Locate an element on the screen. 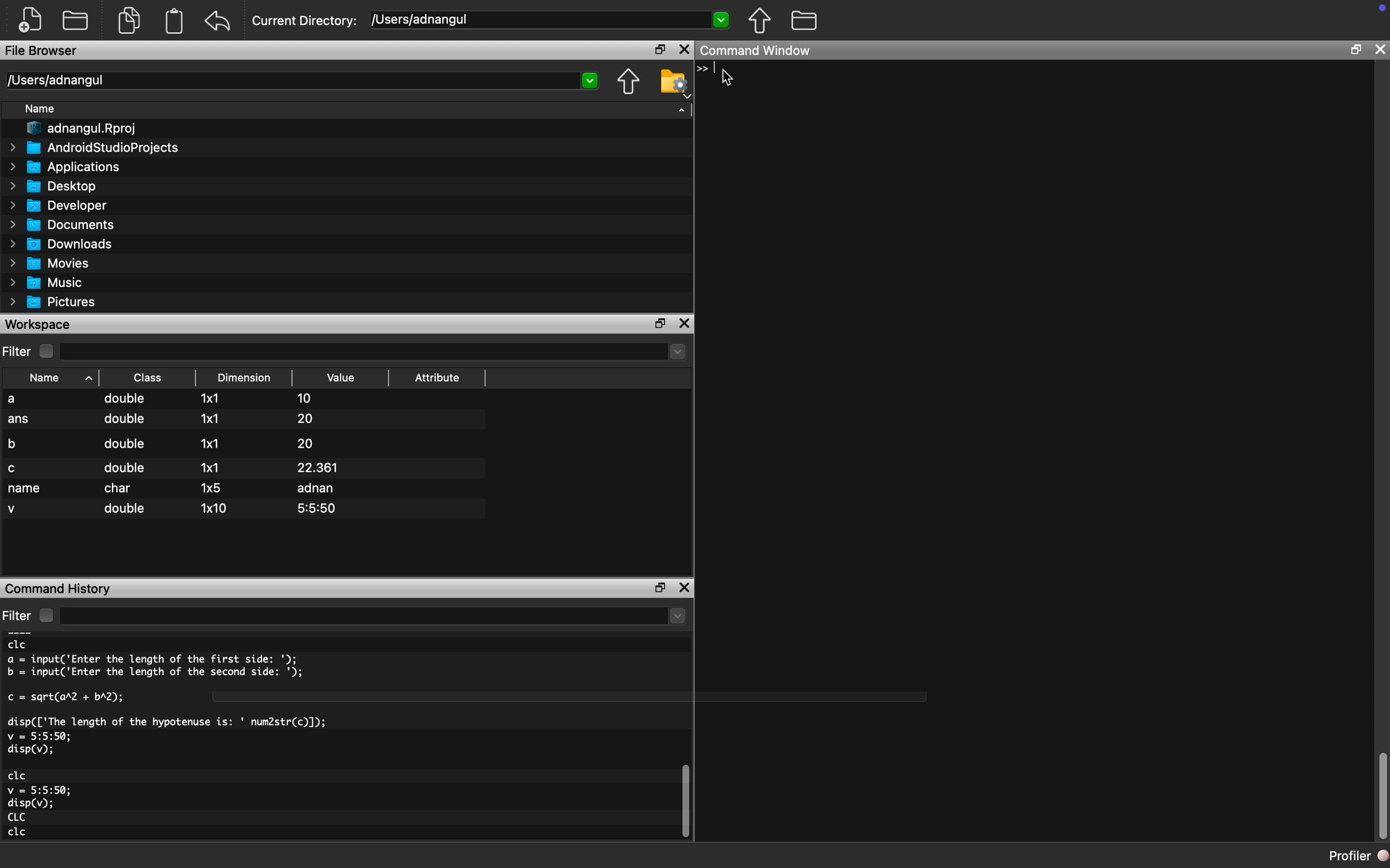 The height and width of the screenshot is (868, 1390). I” adnangul.Rproj is located at coordinates (77, 128).